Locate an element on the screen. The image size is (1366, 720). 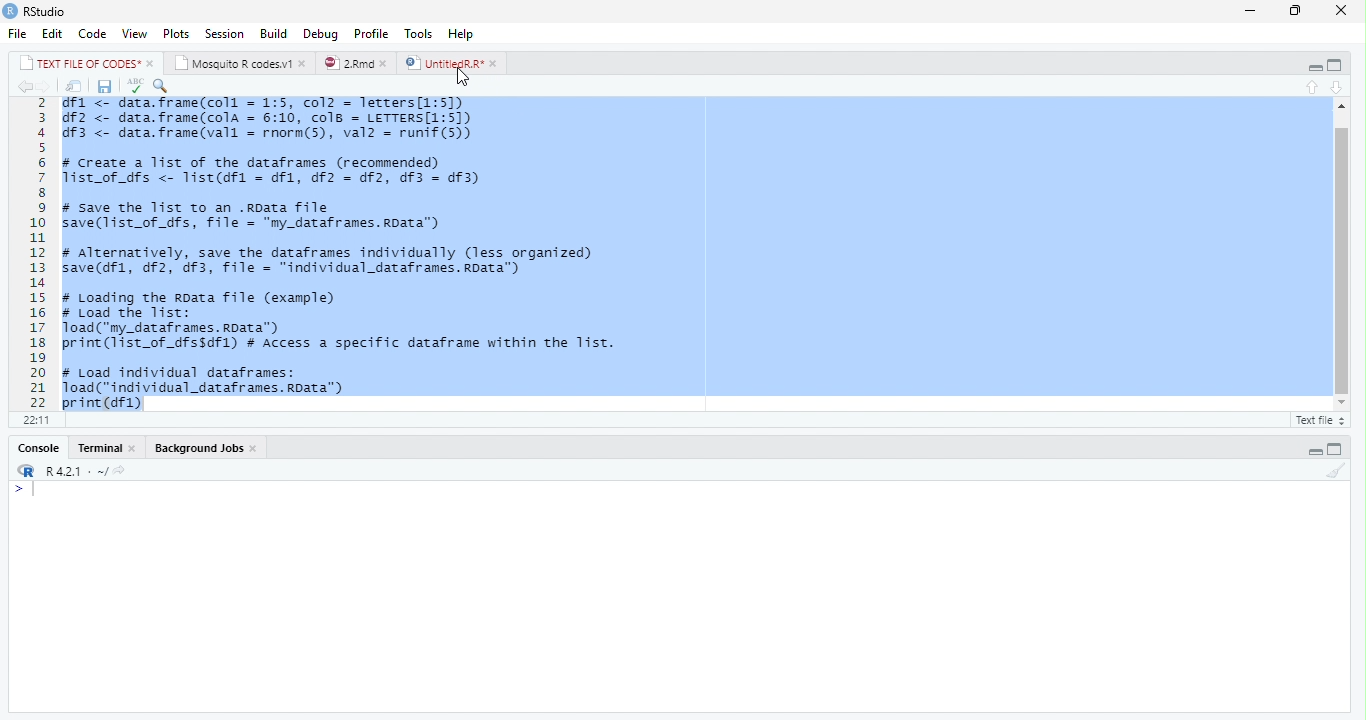
Open in new window is located at coordinates (74, 87).